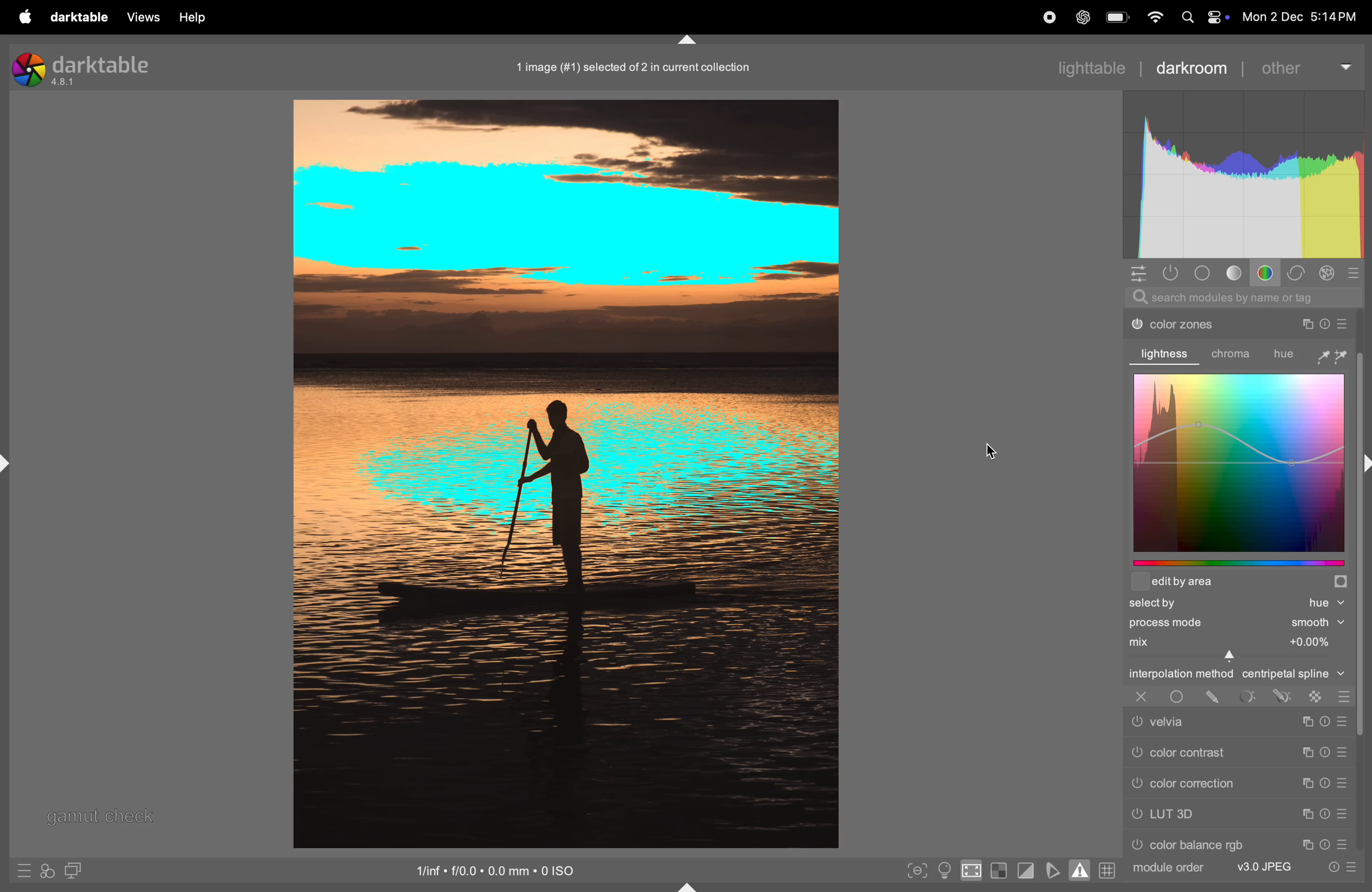 This screenshot has height=892, width=1372. Describe the element at coordinates (1324, 782) in the screenshot. I see `Timer` at that location.